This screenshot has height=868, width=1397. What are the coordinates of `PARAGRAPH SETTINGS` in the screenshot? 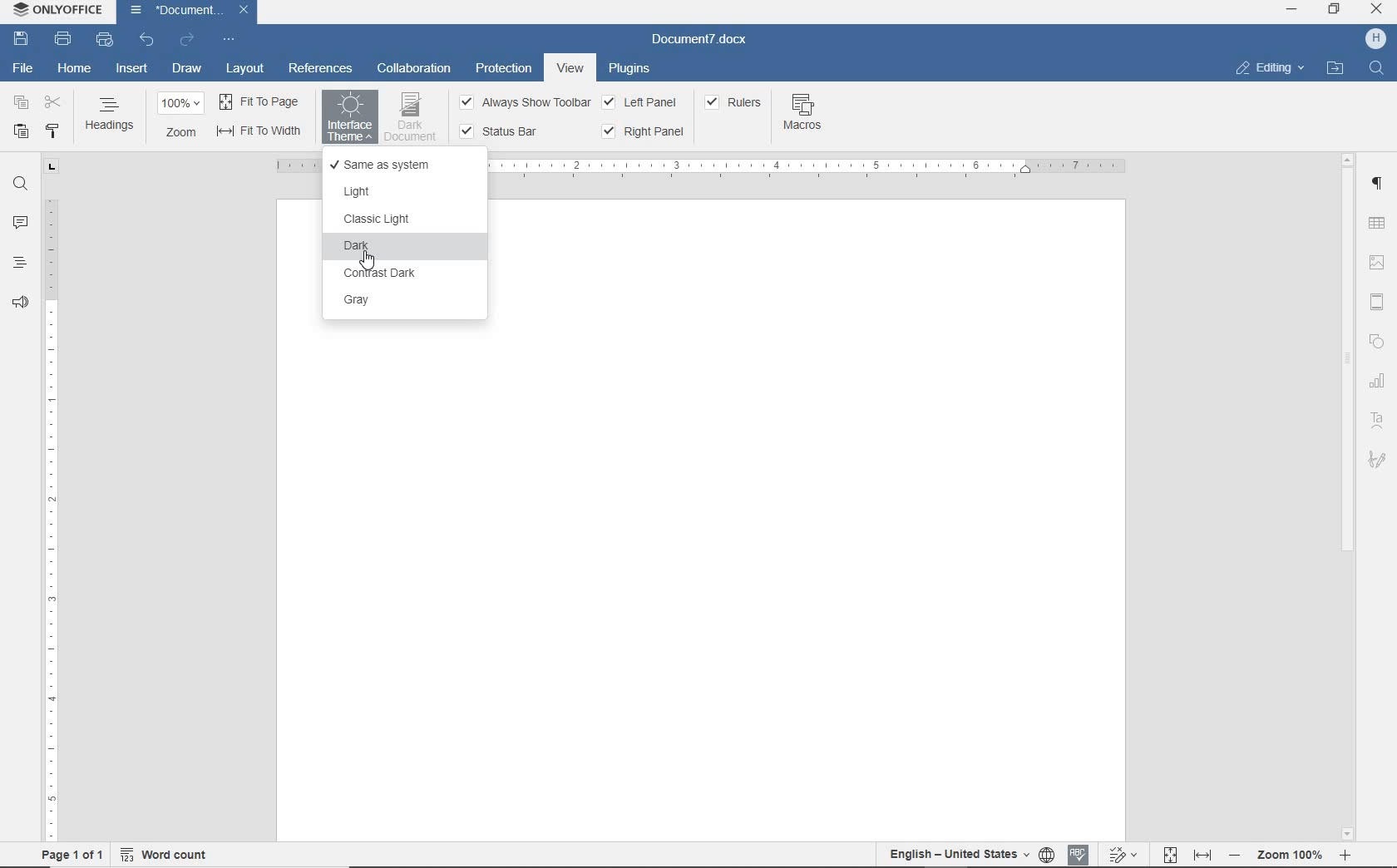 It's located at (1377, 184).